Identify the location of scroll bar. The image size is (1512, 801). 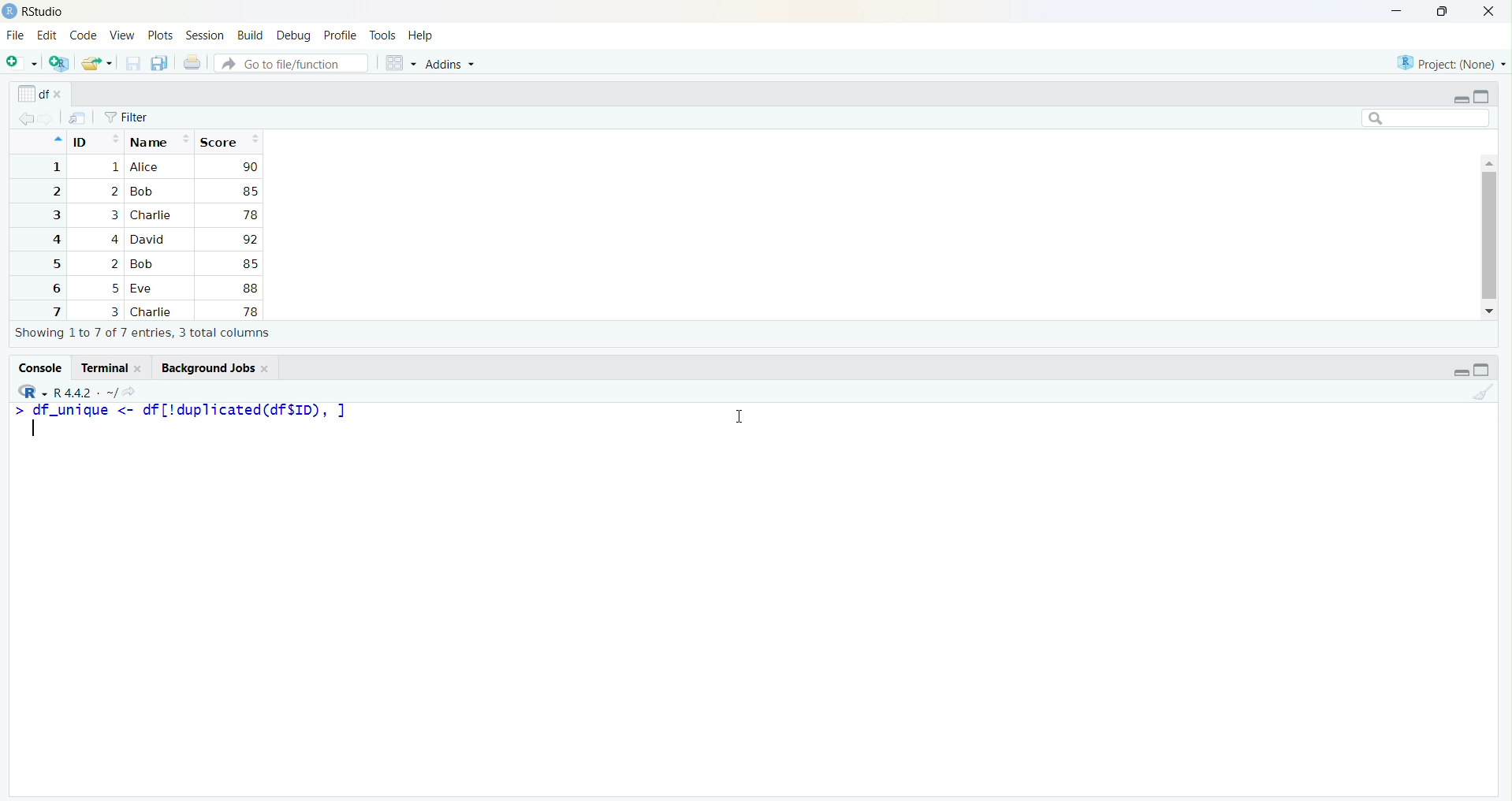
(1488, 235).